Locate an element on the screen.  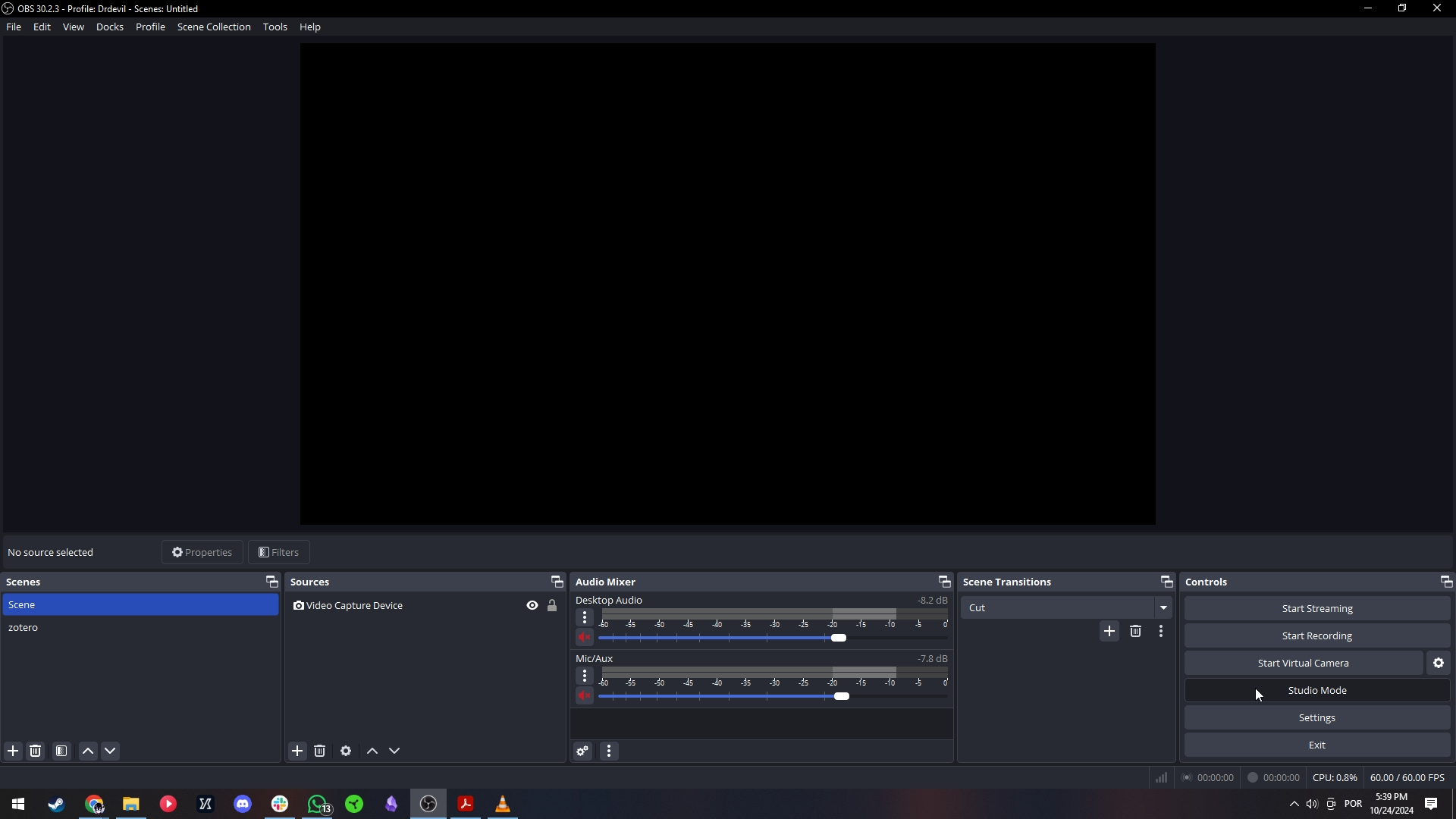
Source properties is located at coordinates (347, 752).